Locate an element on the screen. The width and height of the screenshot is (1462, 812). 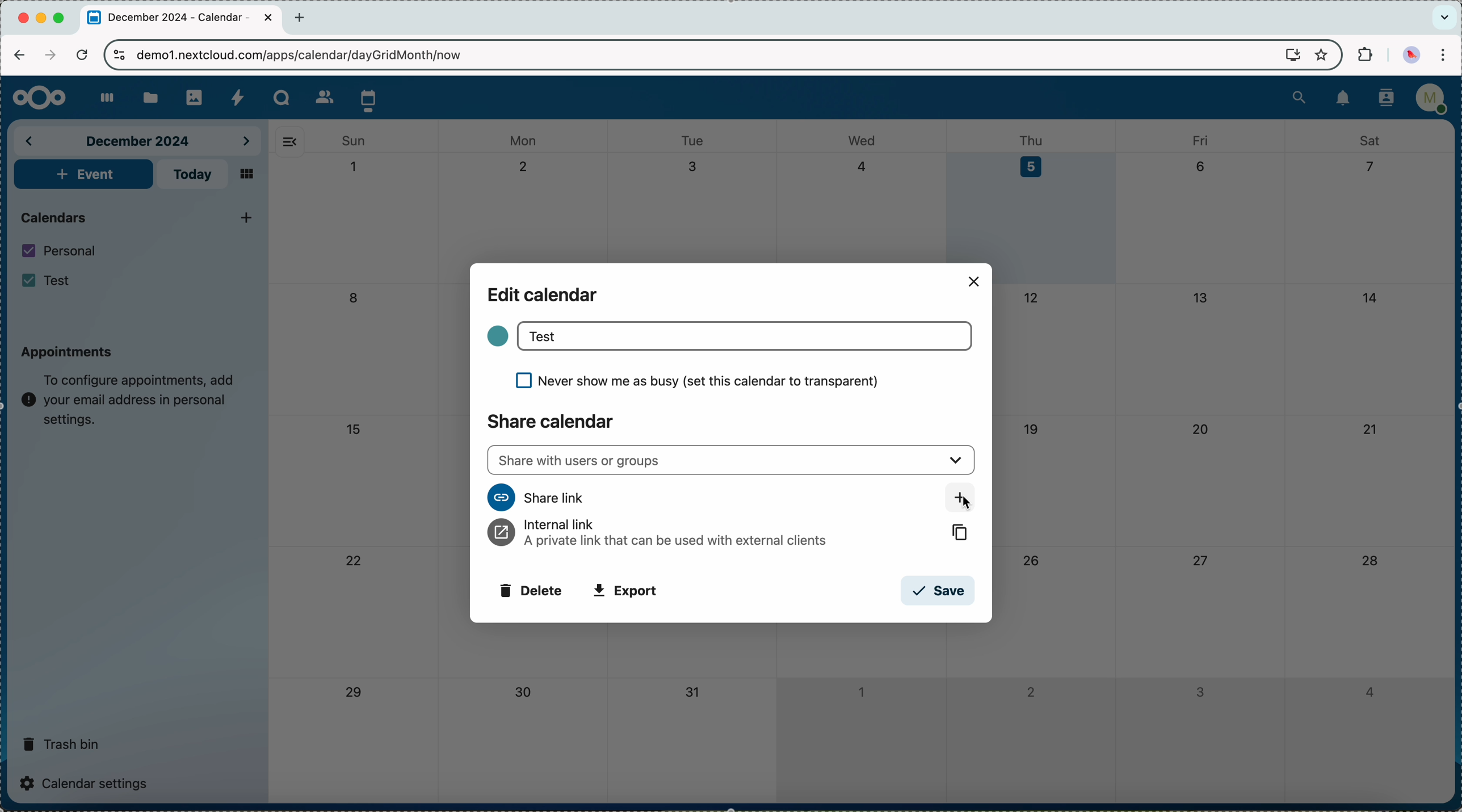
3 is located at coordinates (1200, 693).